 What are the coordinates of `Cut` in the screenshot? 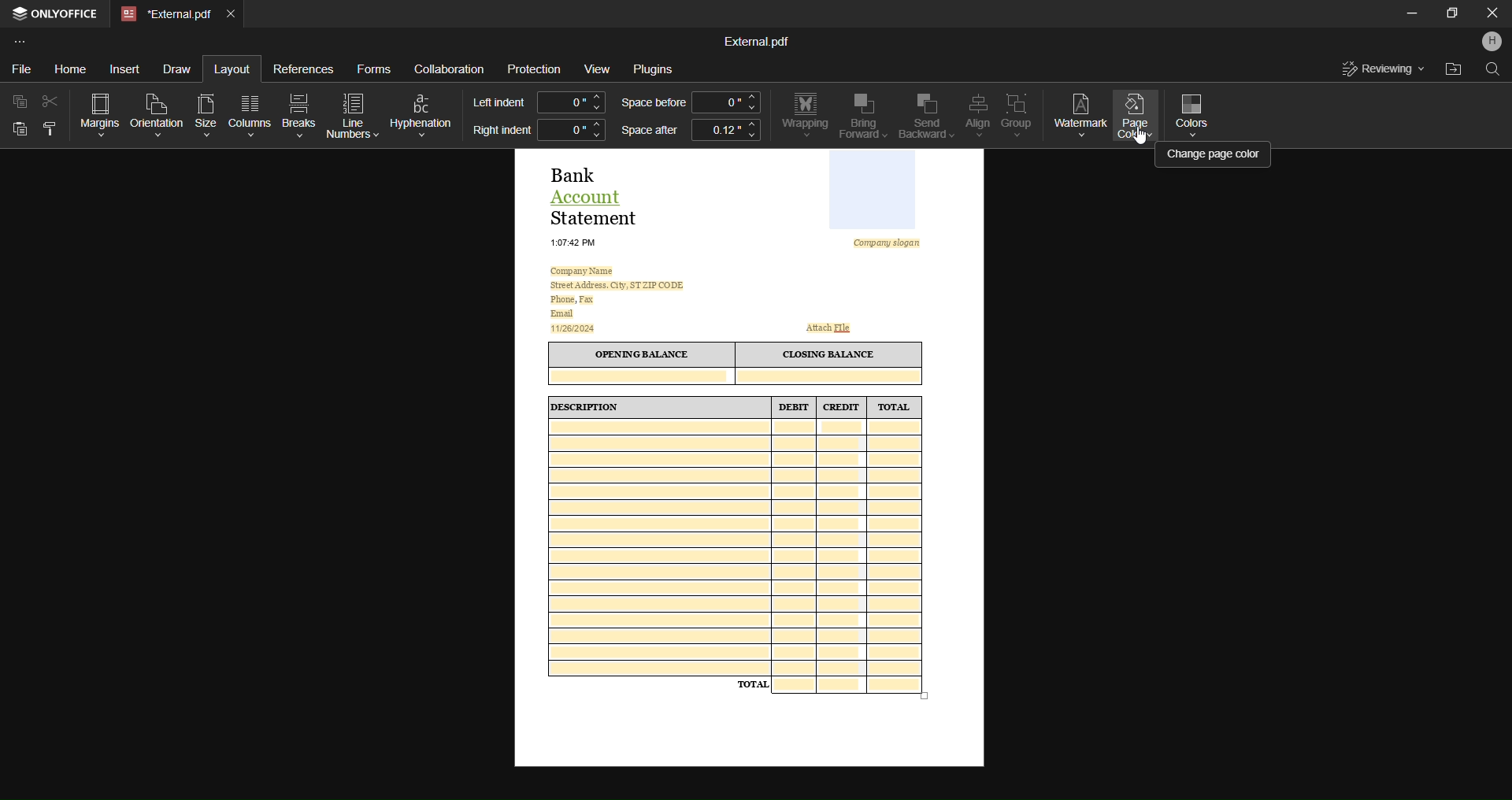 It's located at (48, 100).